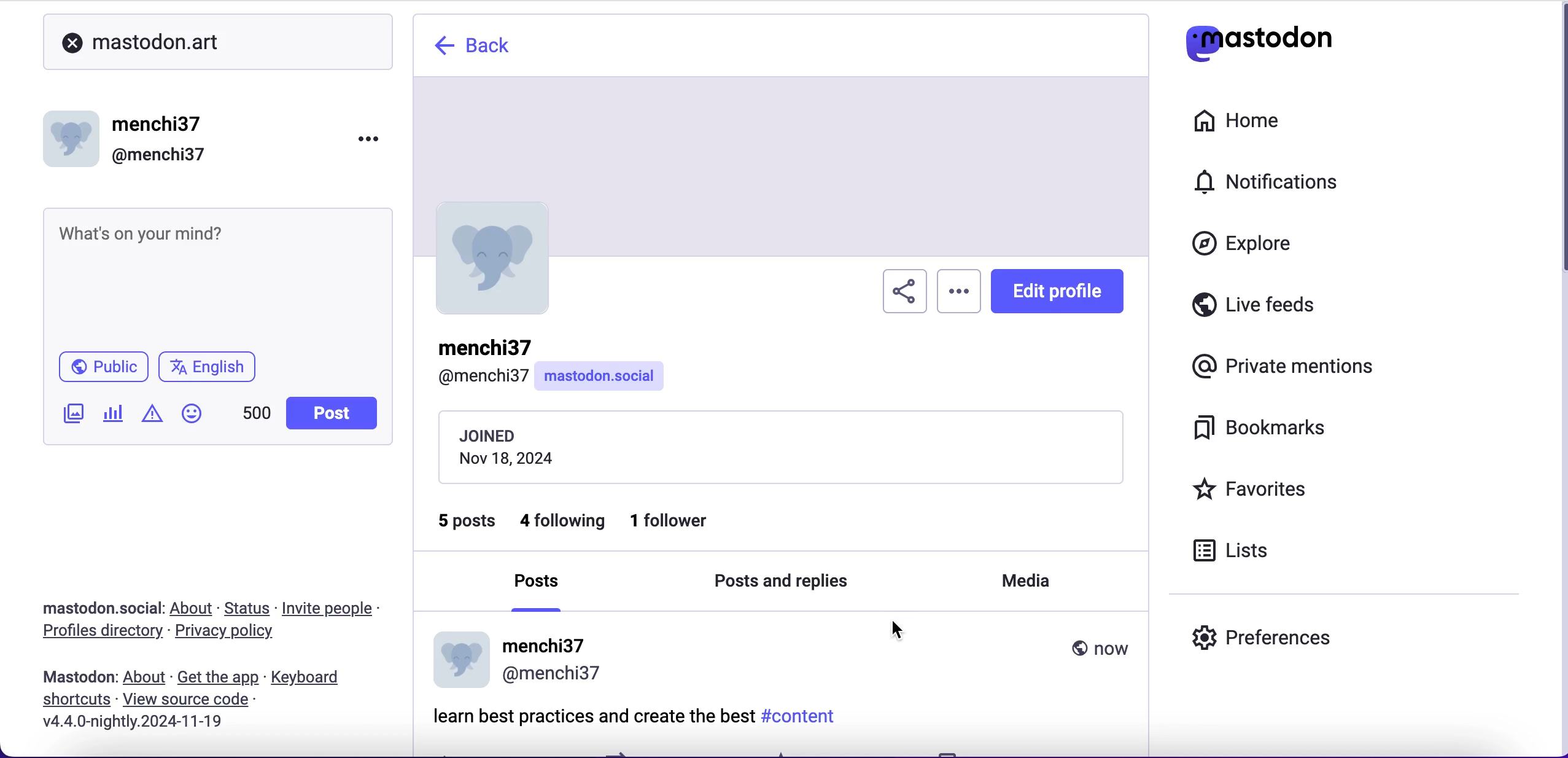  I want to click on privacy policy, so click(230, 634).